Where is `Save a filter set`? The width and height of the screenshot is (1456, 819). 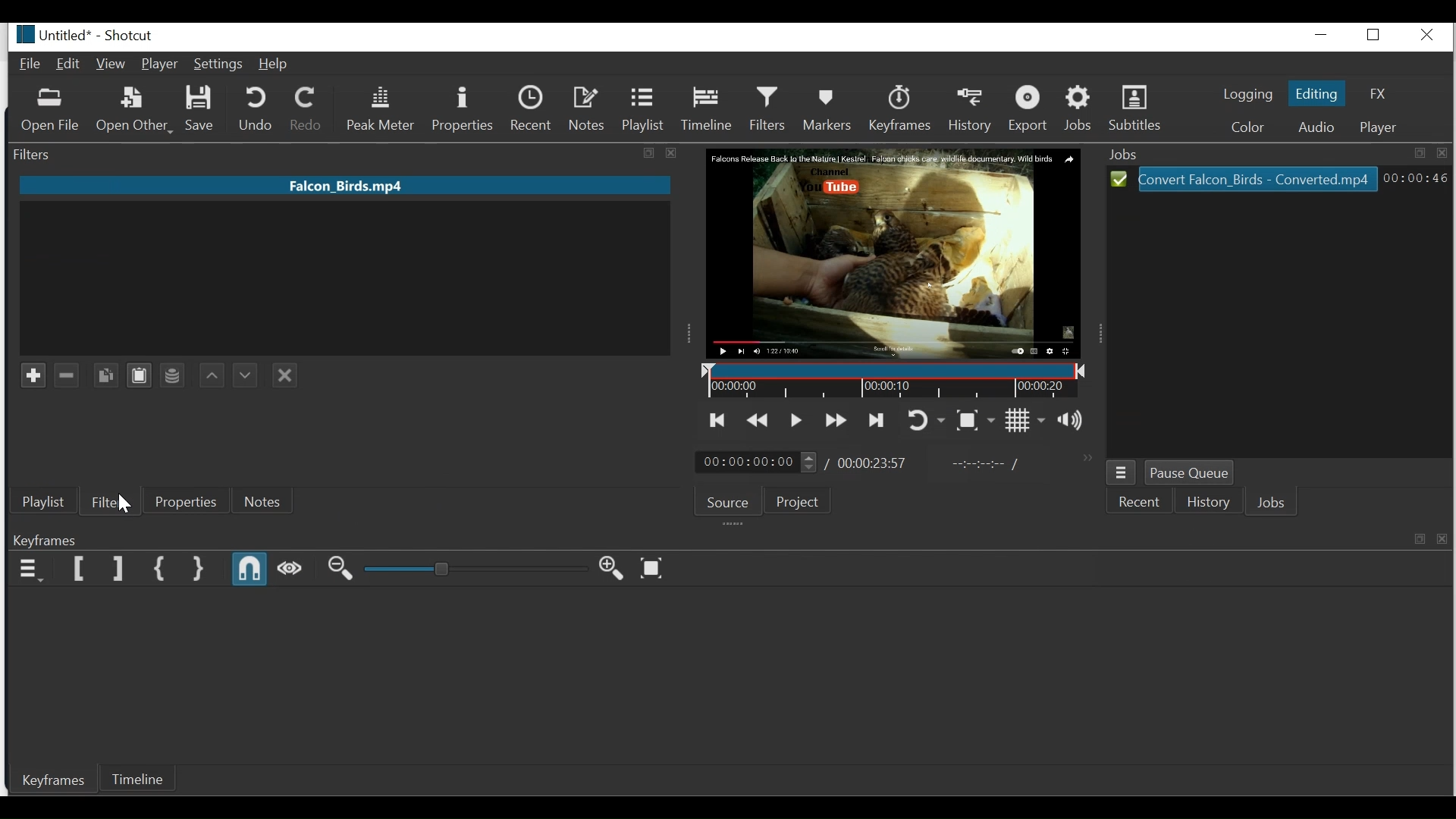
Save a filter set is located at coordinates (174, 375).